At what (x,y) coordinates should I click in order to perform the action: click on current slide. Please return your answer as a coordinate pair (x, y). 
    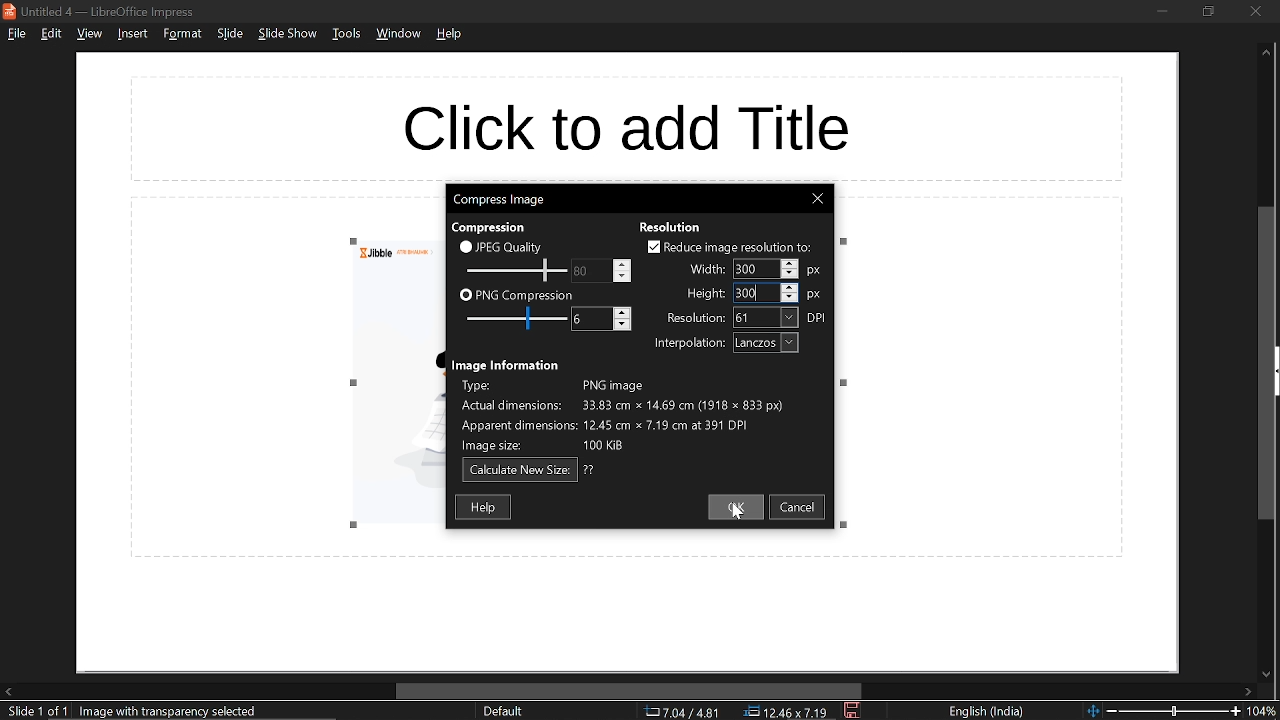
    Looking at the image, I should click on (33, 712).